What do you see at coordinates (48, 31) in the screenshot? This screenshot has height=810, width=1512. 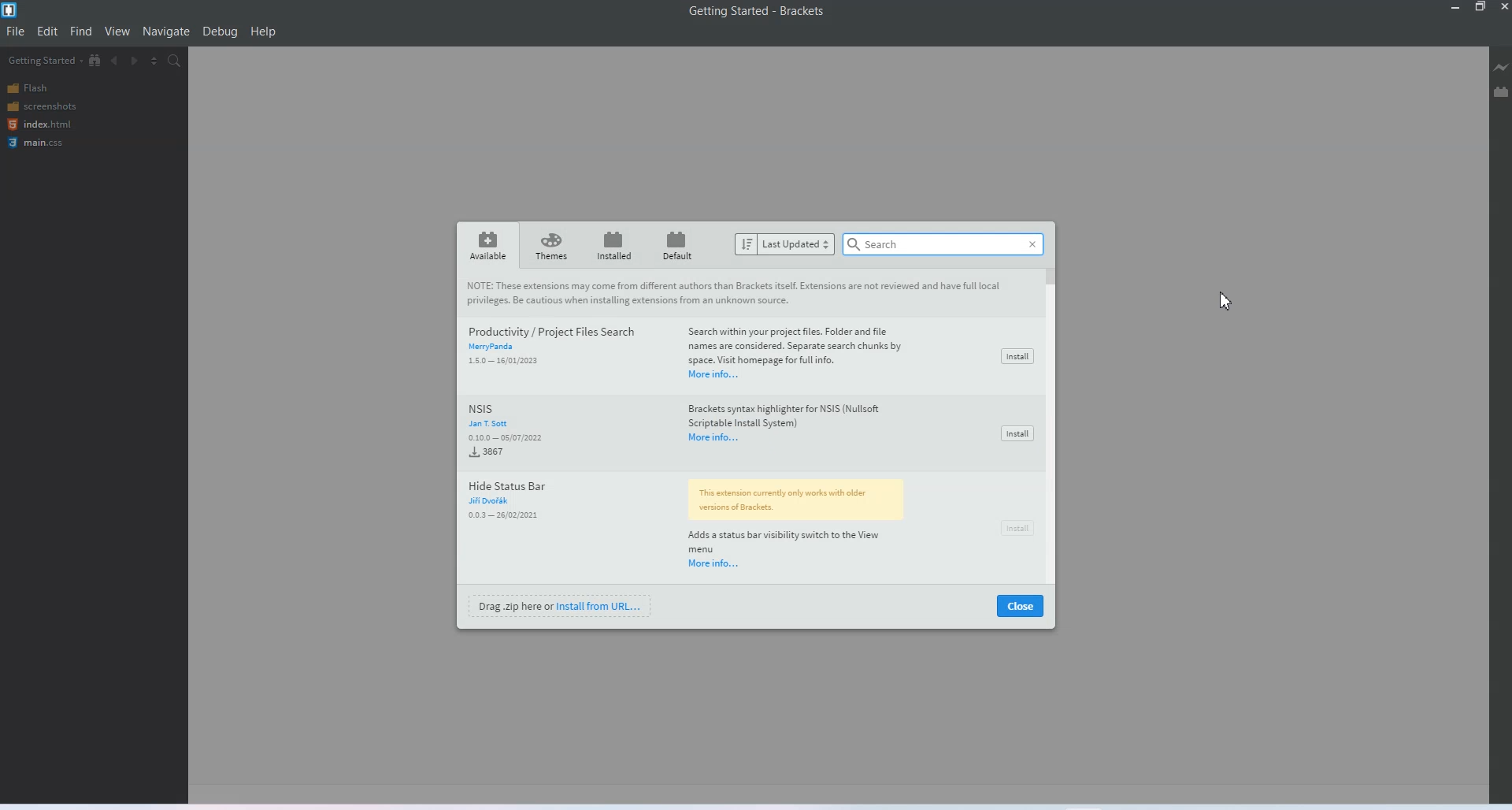 I see `Edit` at bounding box center [48, 31].